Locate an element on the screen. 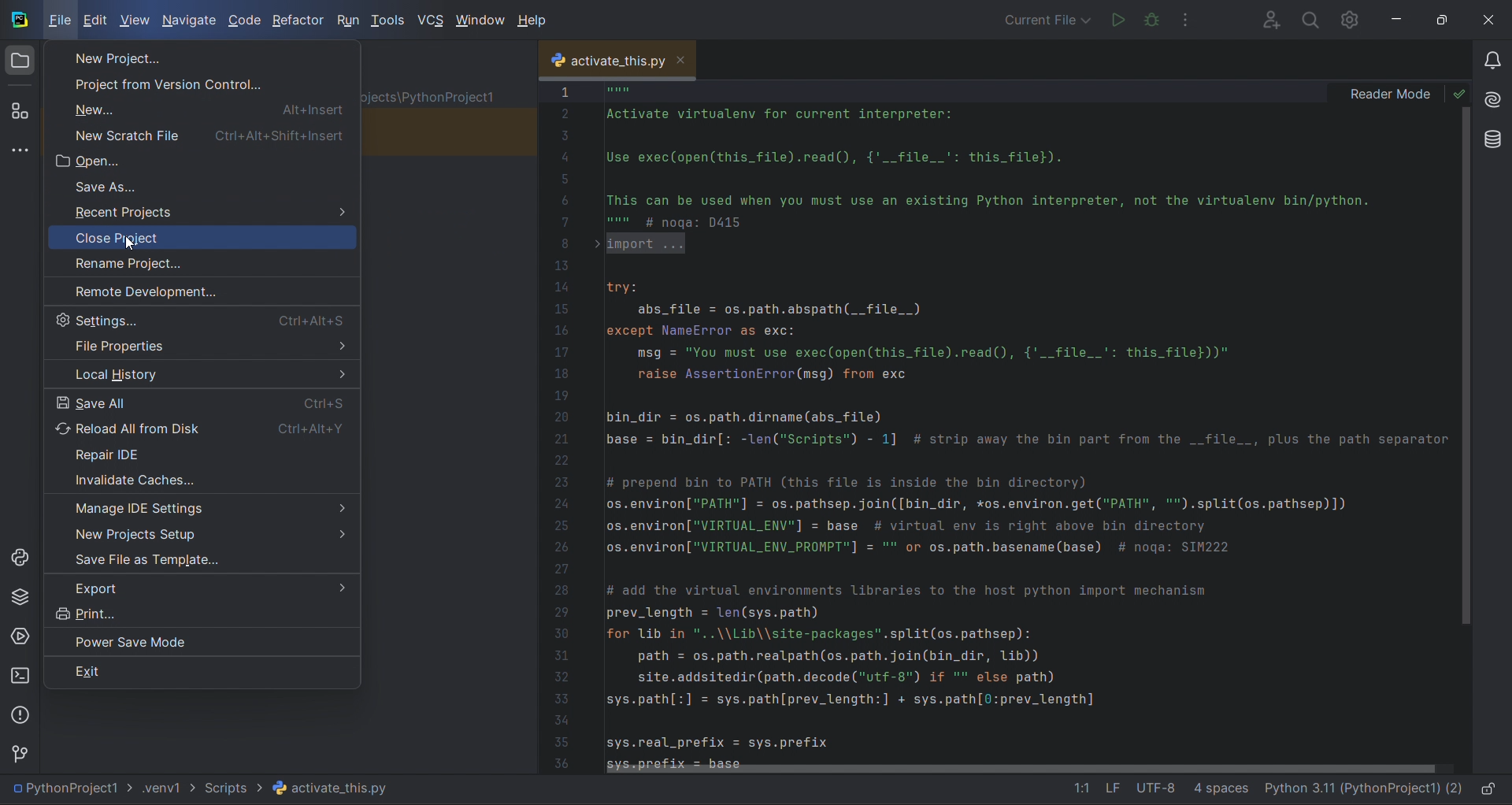 This screenshot has width=1512, height=805. collab is located at coordinates (1267, 18).